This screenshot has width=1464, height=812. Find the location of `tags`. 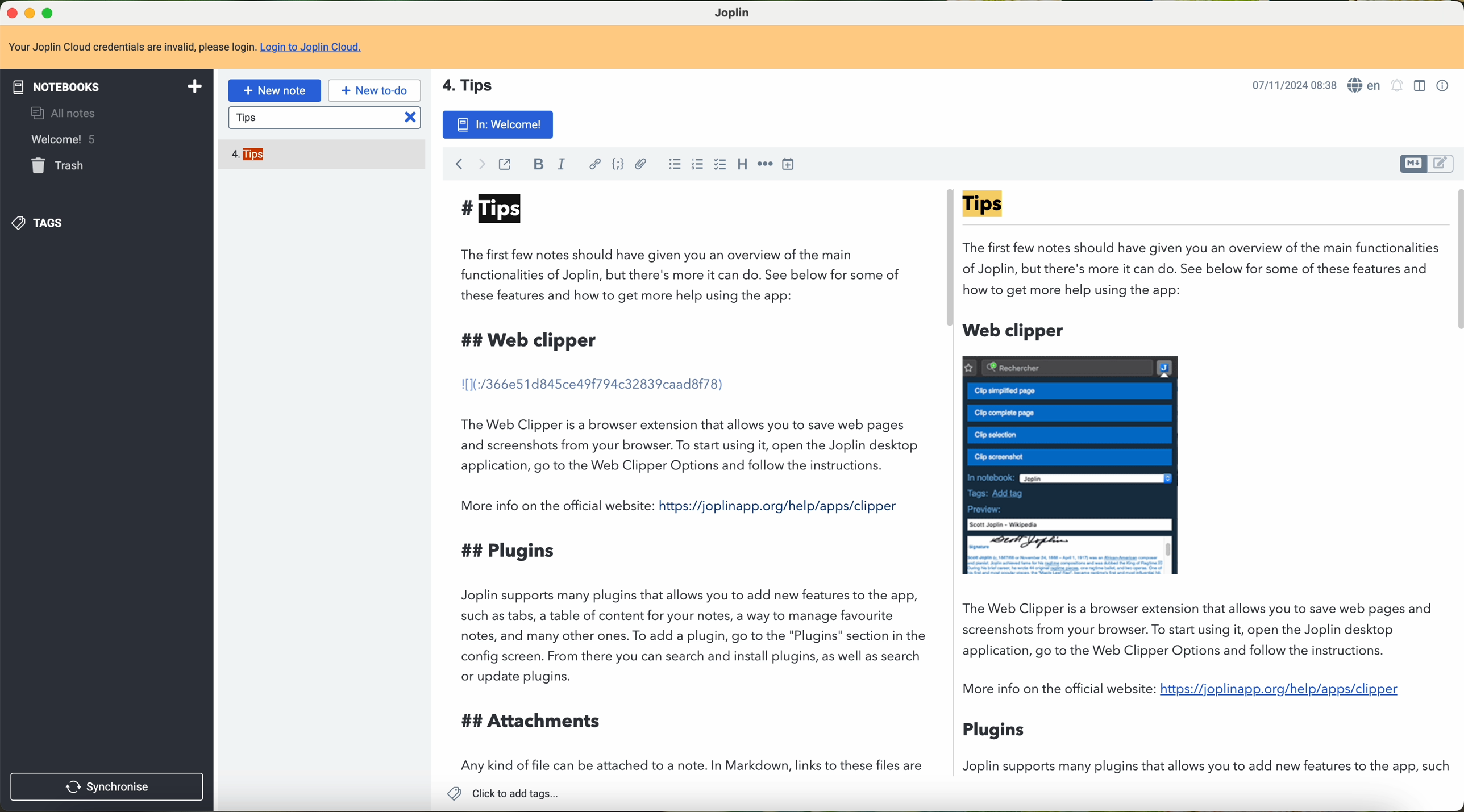

tags is located at coordinates (40, 222).